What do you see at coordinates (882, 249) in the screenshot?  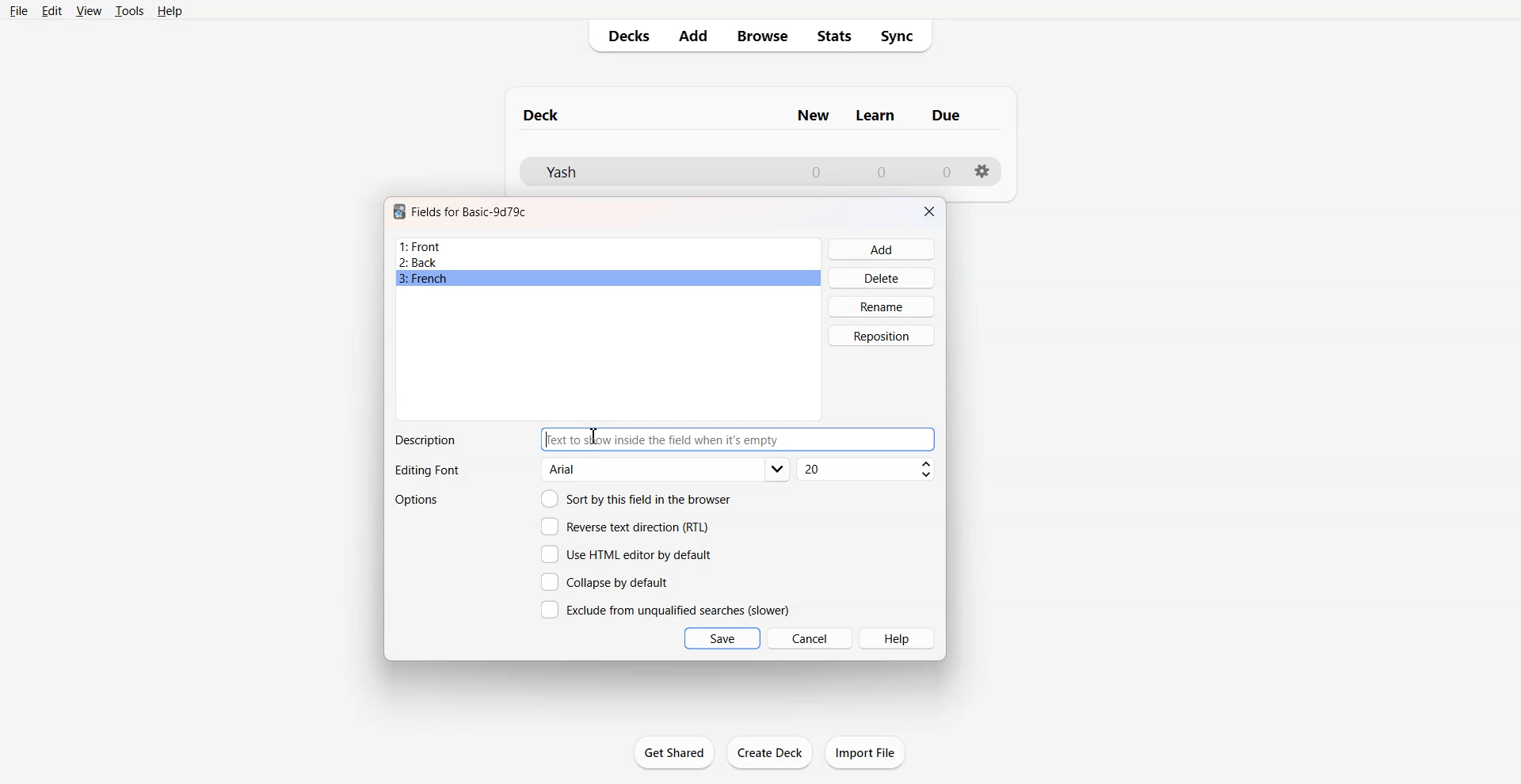 I see `Add` at bounding box center [882, 249].